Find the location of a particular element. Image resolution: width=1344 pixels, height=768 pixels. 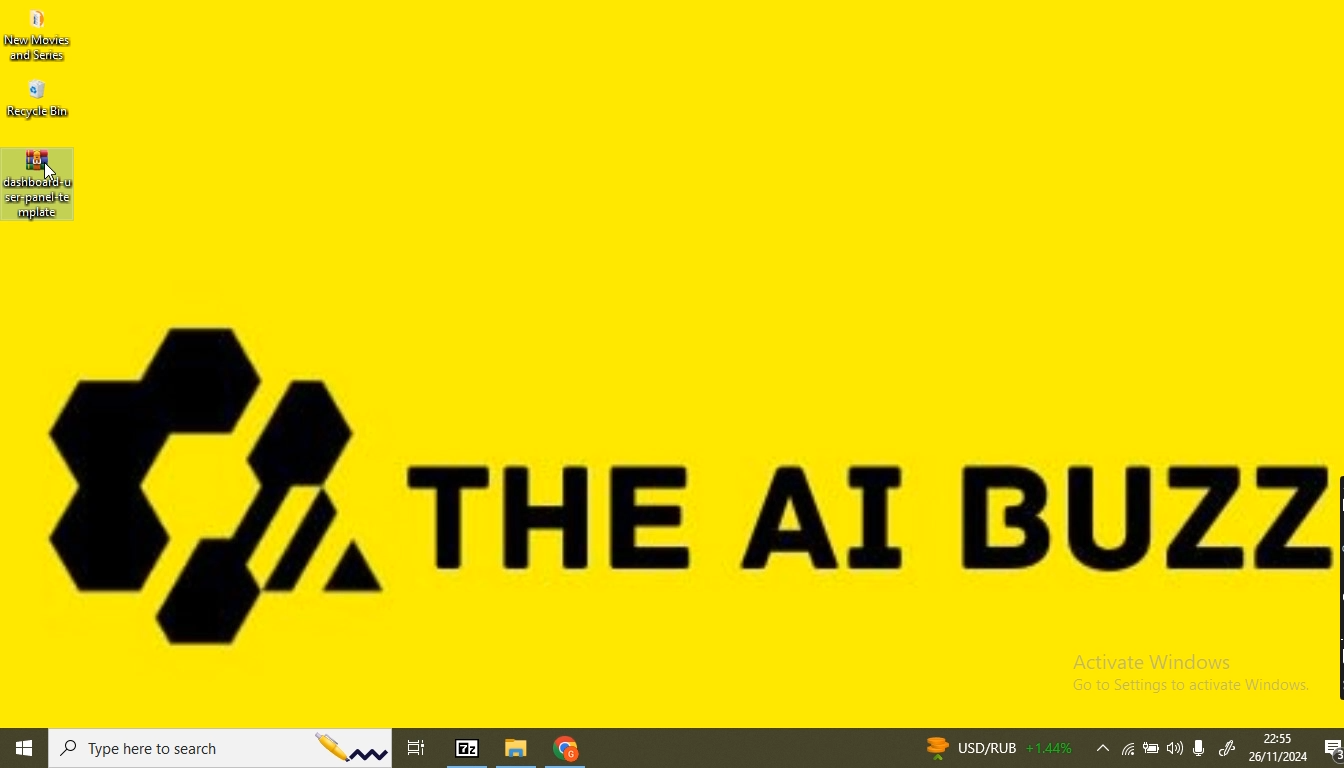

task view is located at coordinates (421, 745).